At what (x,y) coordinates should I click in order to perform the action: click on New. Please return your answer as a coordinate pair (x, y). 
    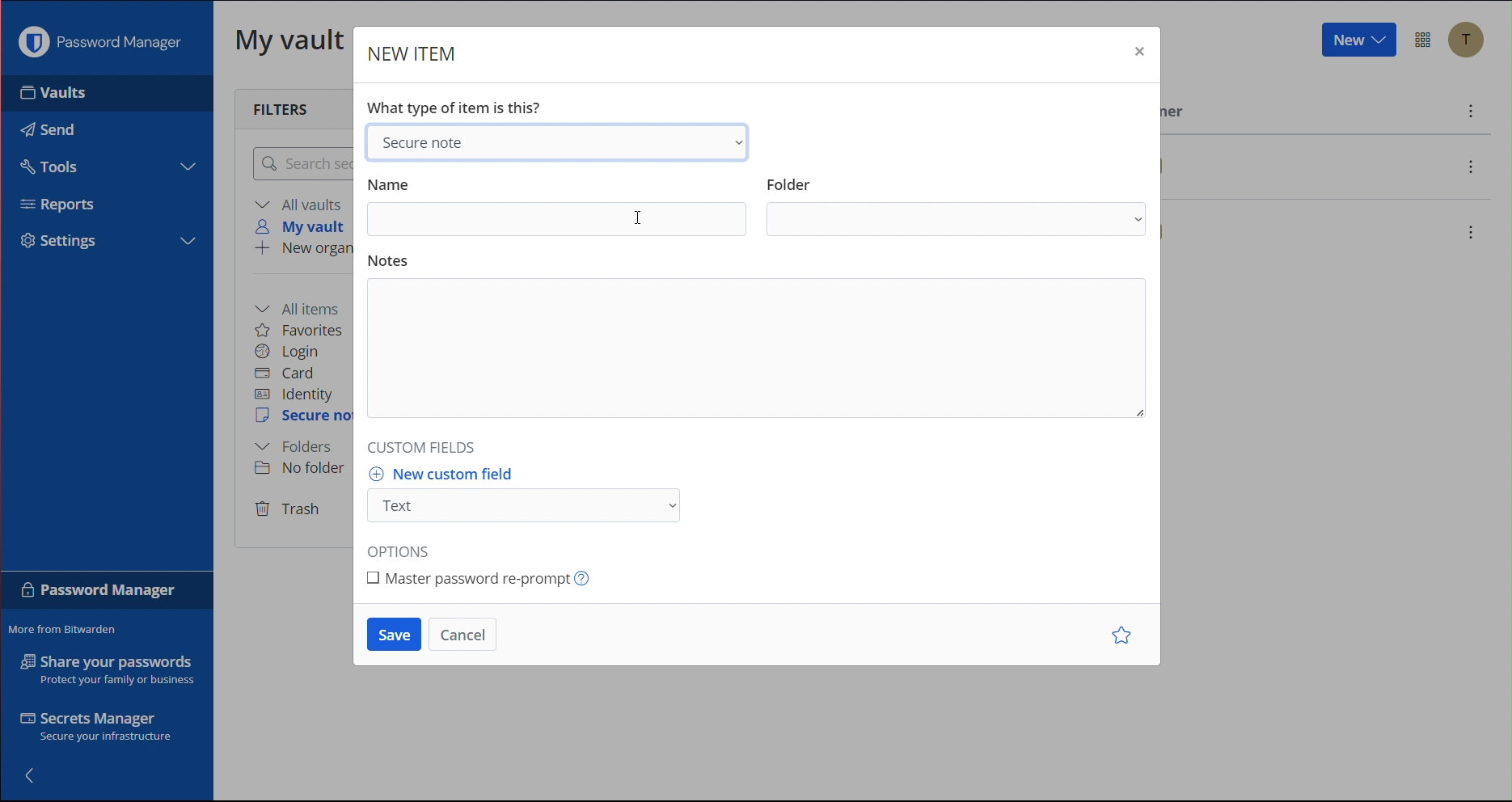
    Looking at the image, I should click on (1358, 42).